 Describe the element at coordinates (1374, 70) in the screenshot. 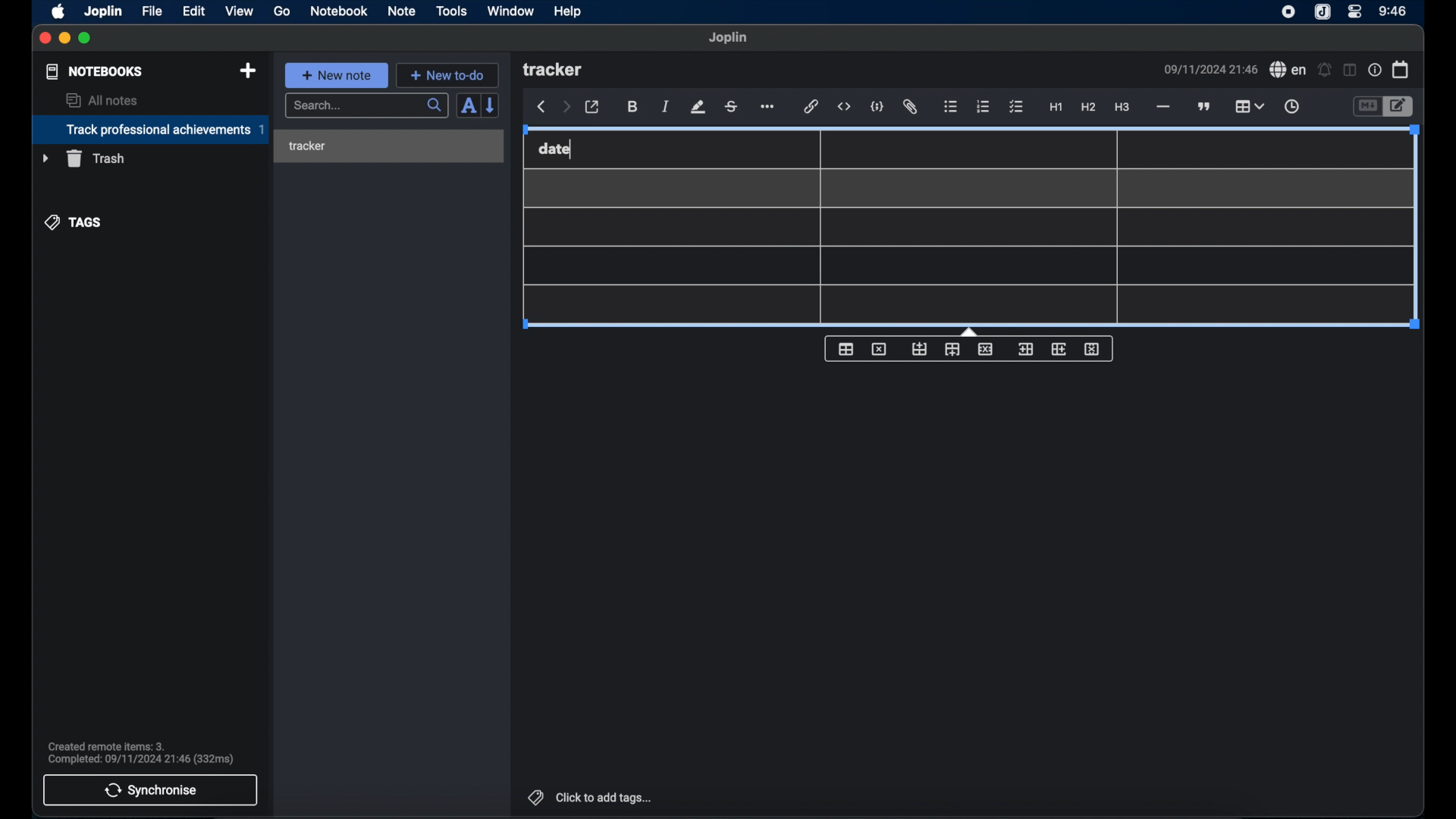

I see `note properties` at that location.